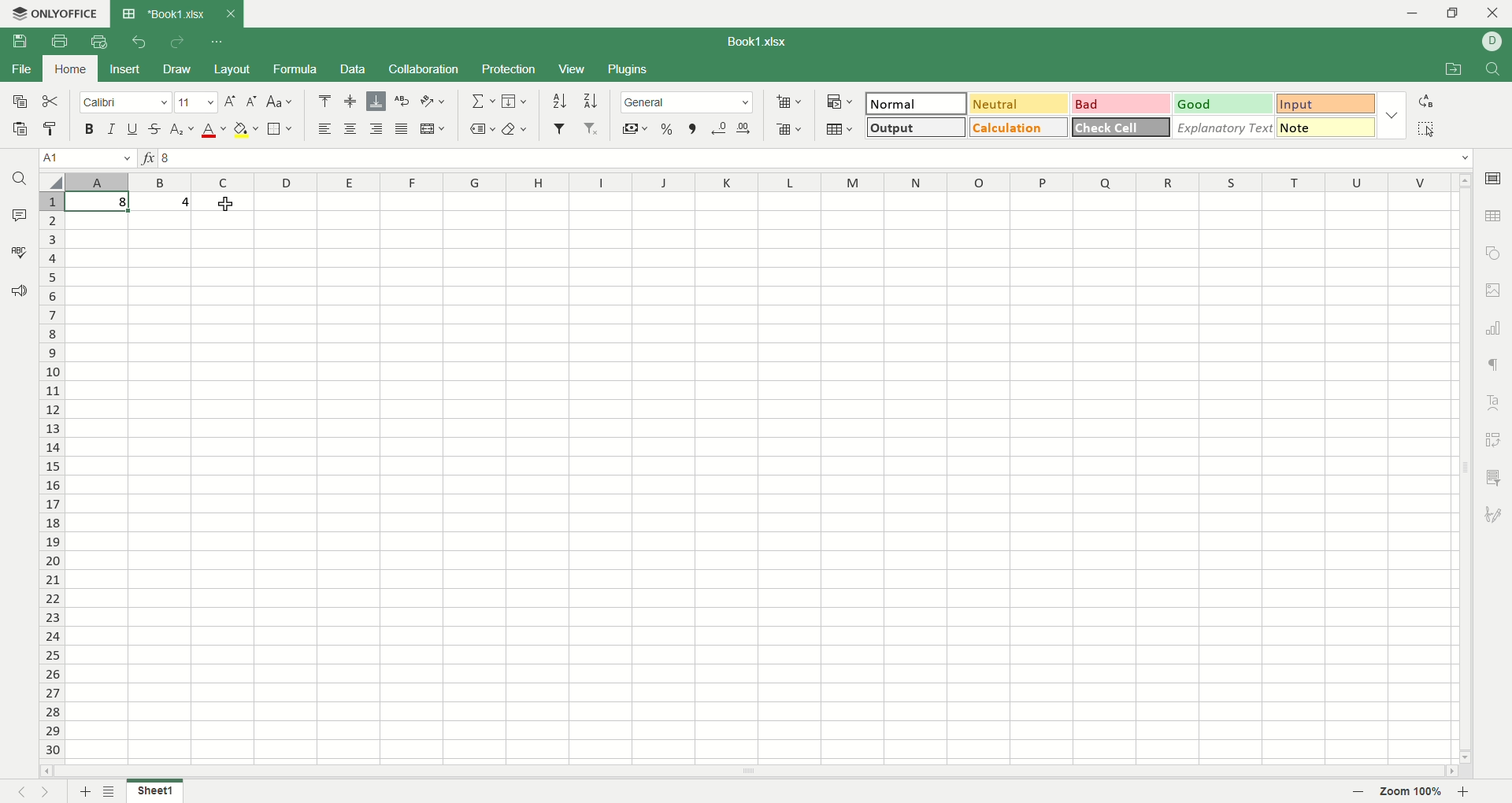 The width and height of the screenshot is (1512, 803). I want to click on comma format, so click(693, 129).